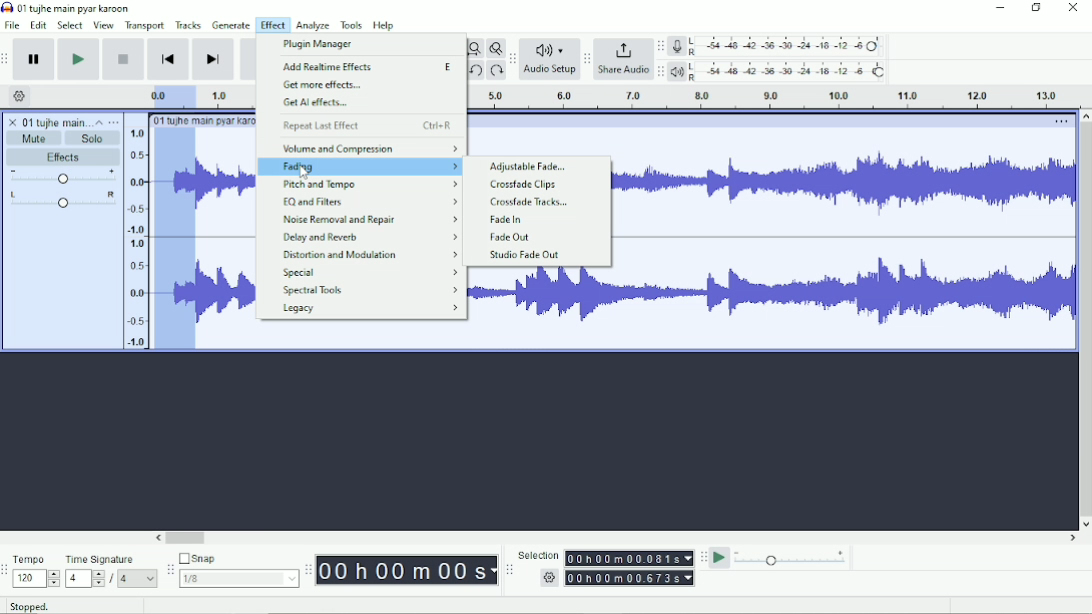 The image size is (1092, 614). What do you see at coordinates (622, 71) in the screenshot?
I see `Share Audio` at bounding box center [622, 71].